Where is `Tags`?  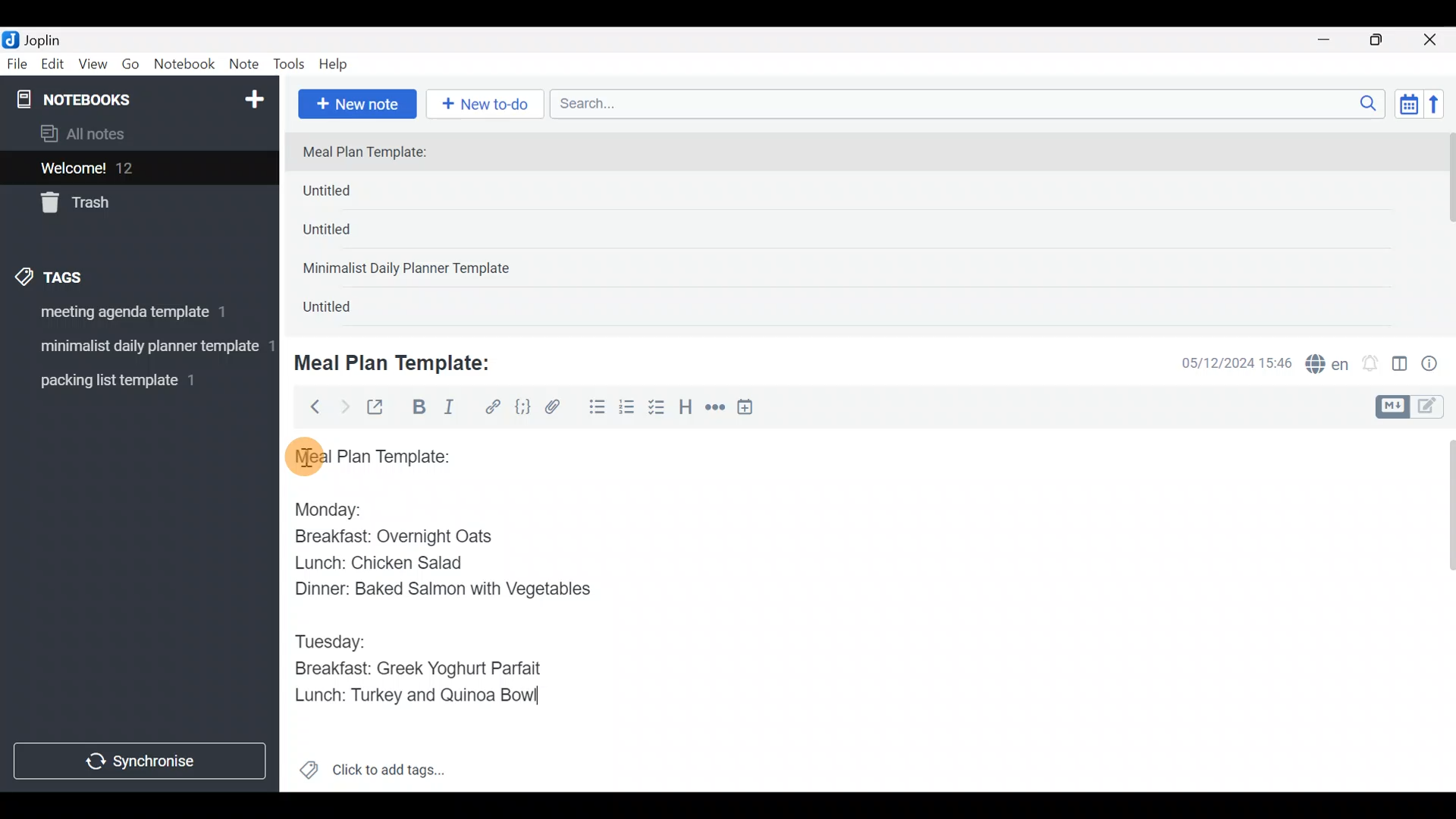
Tags is located at coordinates (85, 275).